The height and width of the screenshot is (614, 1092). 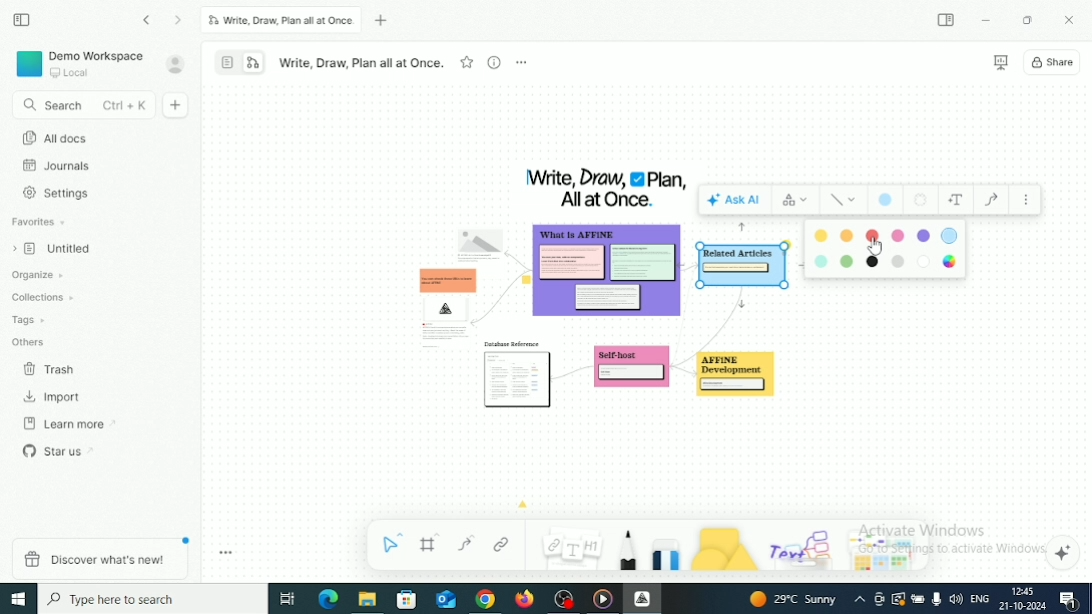 I want to click on Warning, so click(x=898, y=599).